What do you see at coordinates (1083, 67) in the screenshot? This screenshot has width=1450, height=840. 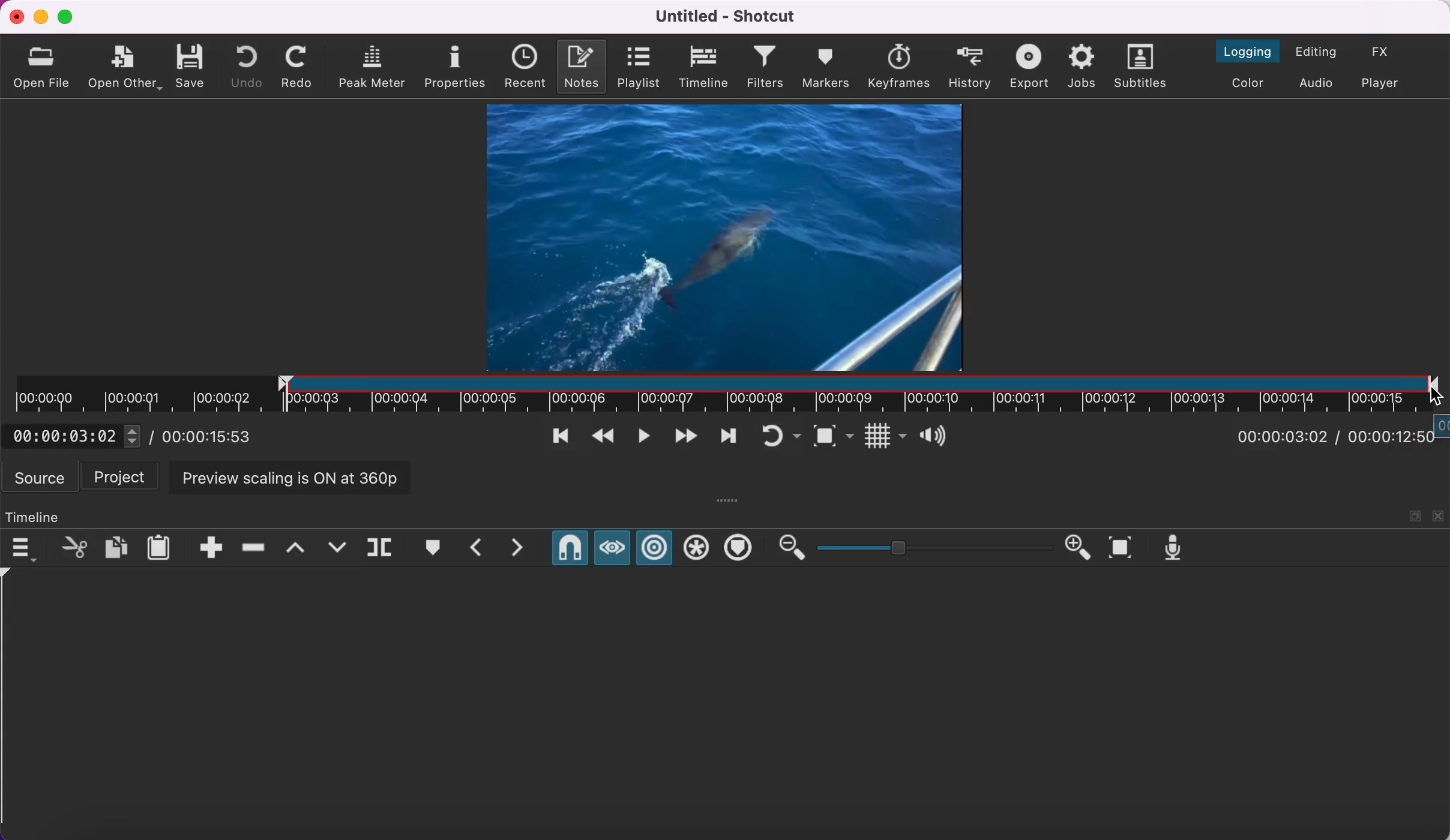 I see `jobs` at bounding box center [1083, 67].